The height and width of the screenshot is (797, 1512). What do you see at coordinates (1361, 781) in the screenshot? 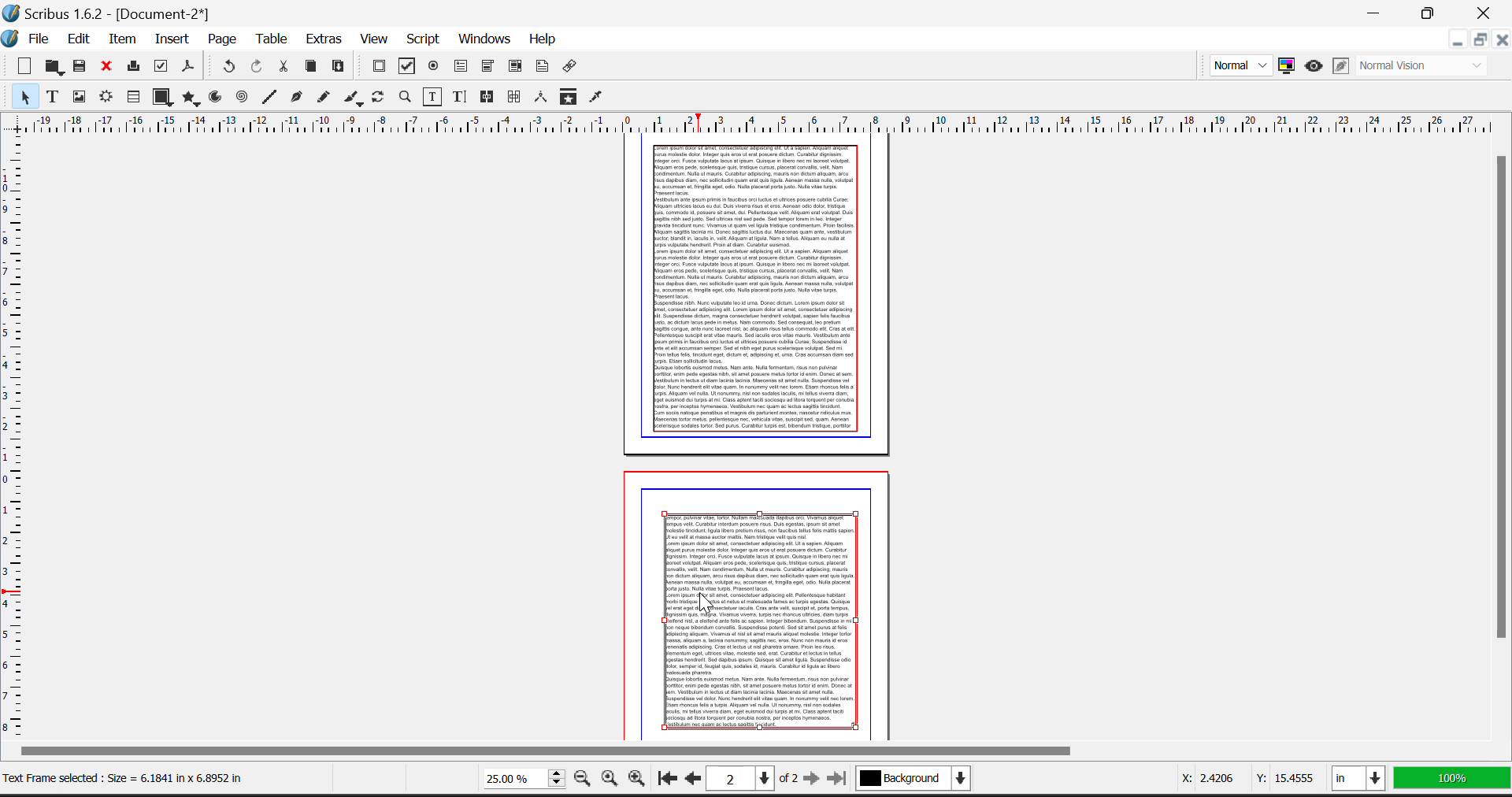
I see `Measurement Unit` at bounding box center [1361, 781].